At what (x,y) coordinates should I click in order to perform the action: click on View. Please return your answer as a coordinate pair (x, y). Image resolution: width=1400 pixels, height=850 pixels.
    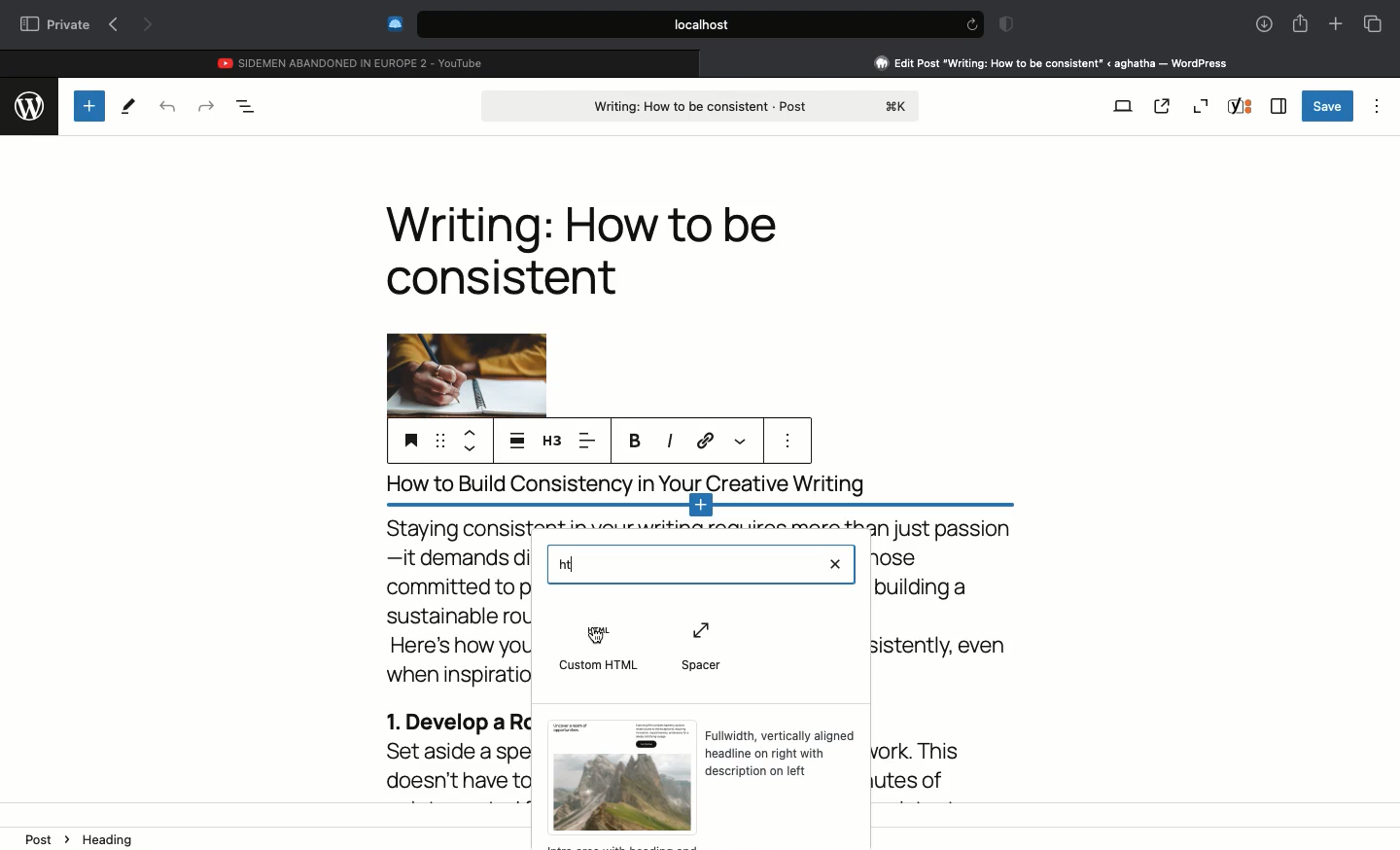
    Looking at the image, I should click on (1124, 104).